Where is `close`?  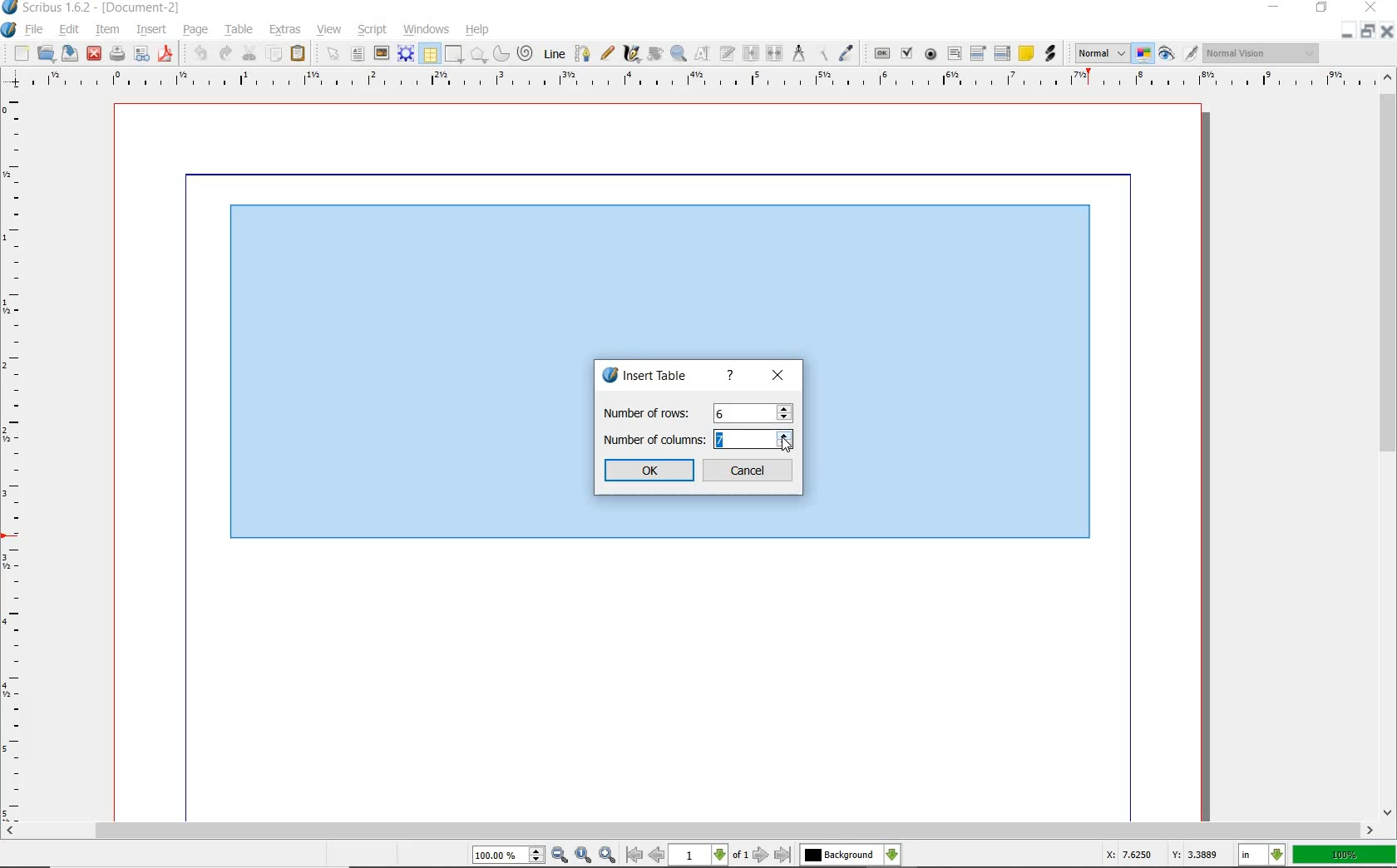
close is located at coordinates (1370, 8).